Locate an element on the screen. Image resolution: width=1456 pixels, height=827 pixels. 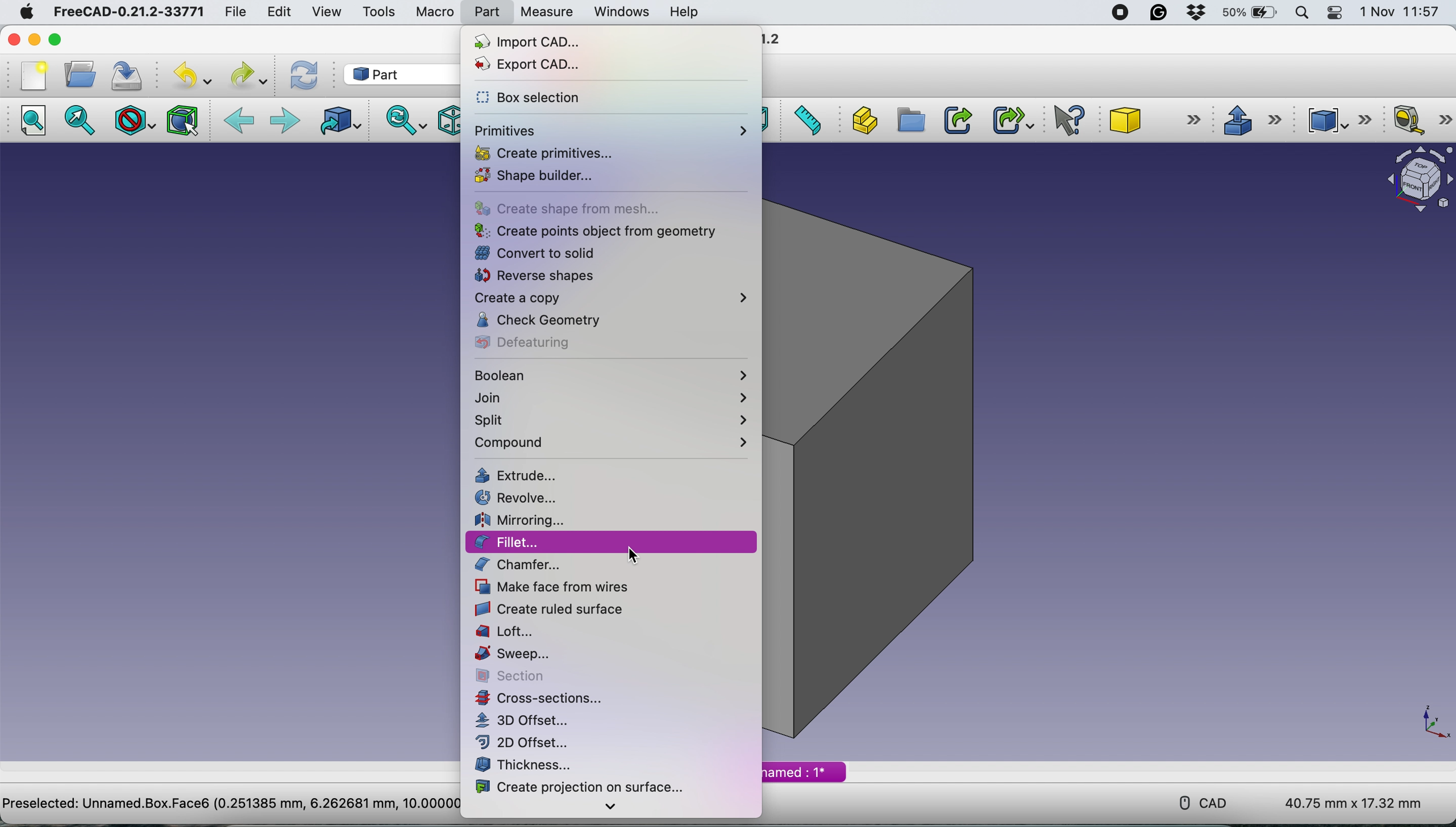
cursor is located at coordinates (631, 555).